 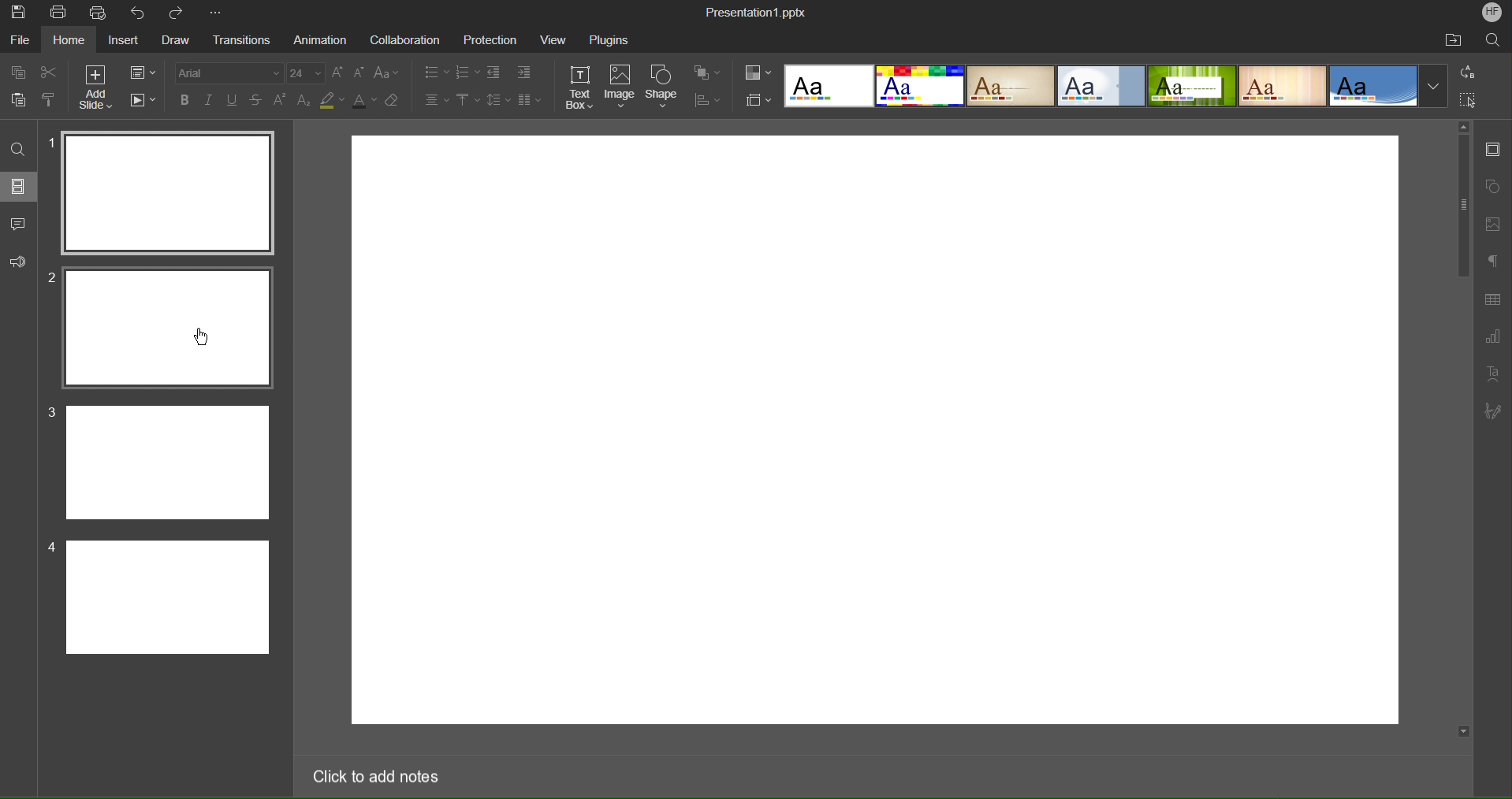 I want to click on File , so click(x=22, y=40).